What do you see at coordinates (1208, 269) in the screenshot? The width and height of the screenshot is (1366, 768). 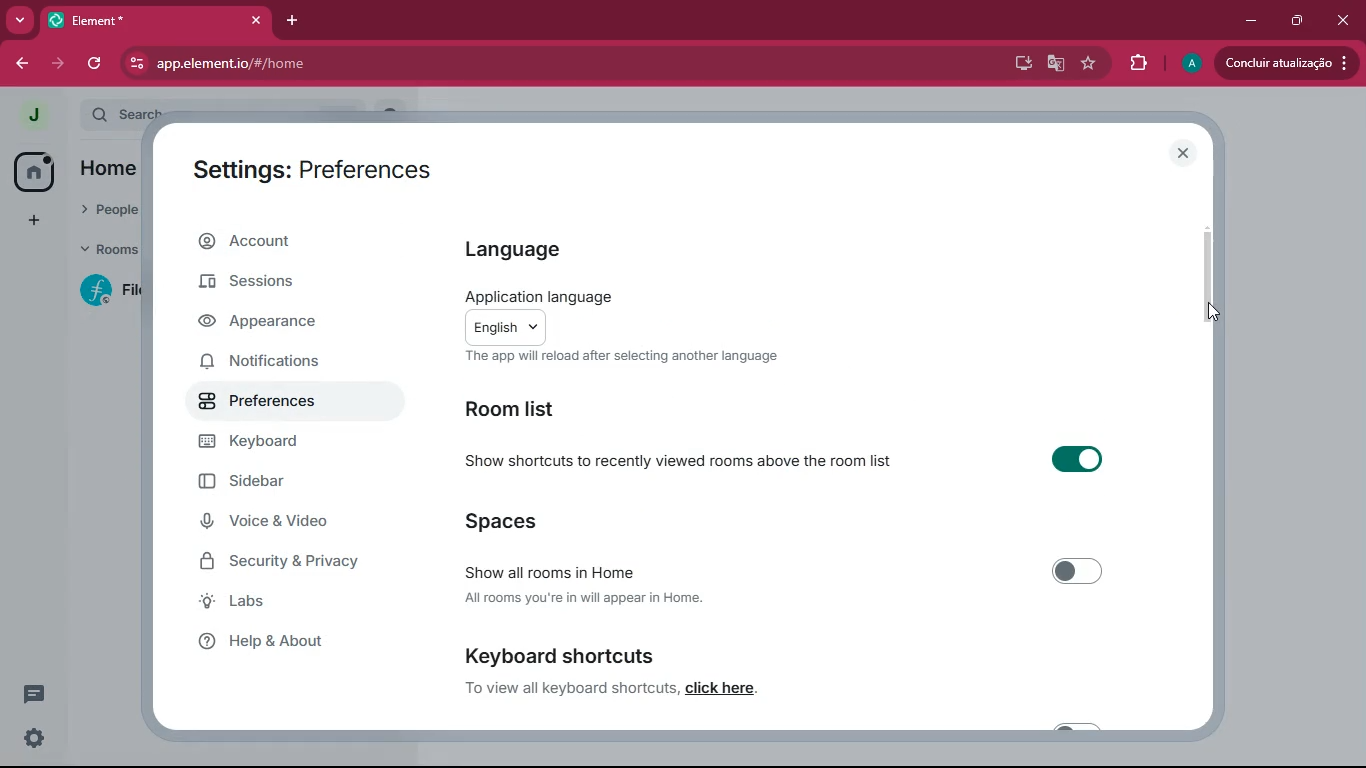 I see `scroll bar` at bounding box center [1208, 269].